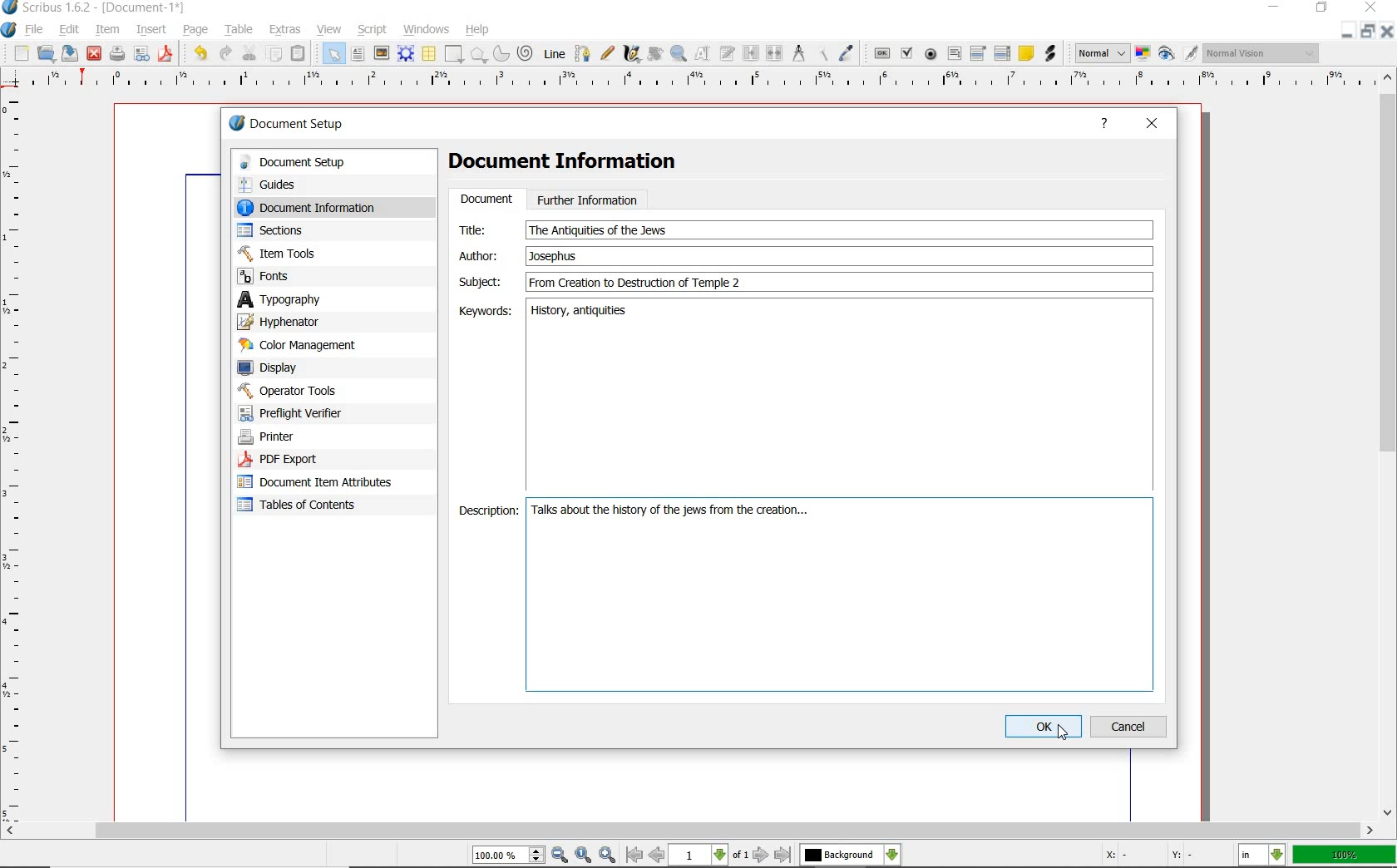  I want to click on preflight verifier, so click(300, 413).